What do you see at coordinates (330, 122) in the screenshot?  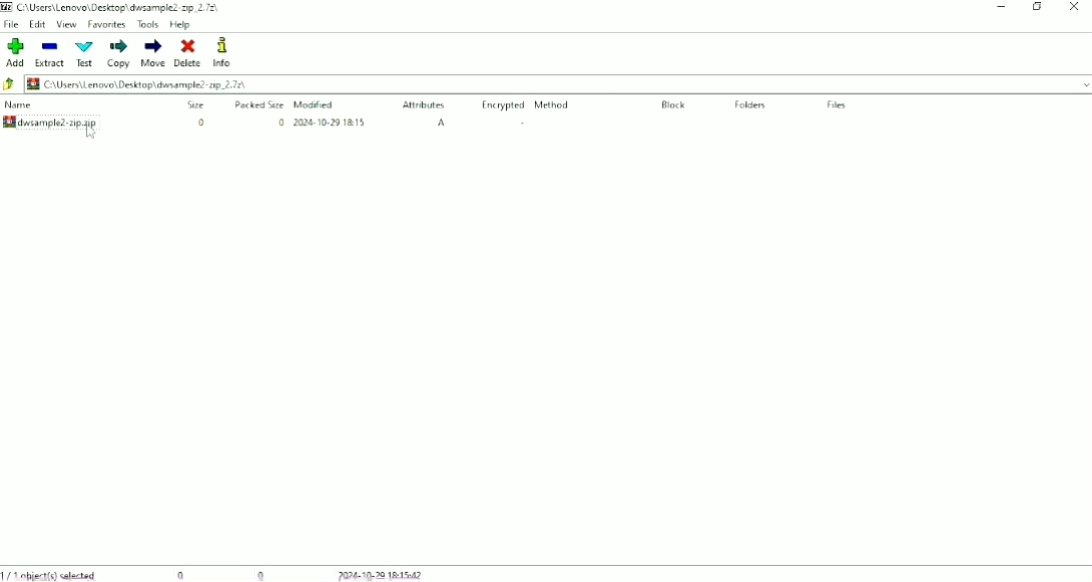 I see `2024-10-29 18:15` at bounding box center [330, 122].